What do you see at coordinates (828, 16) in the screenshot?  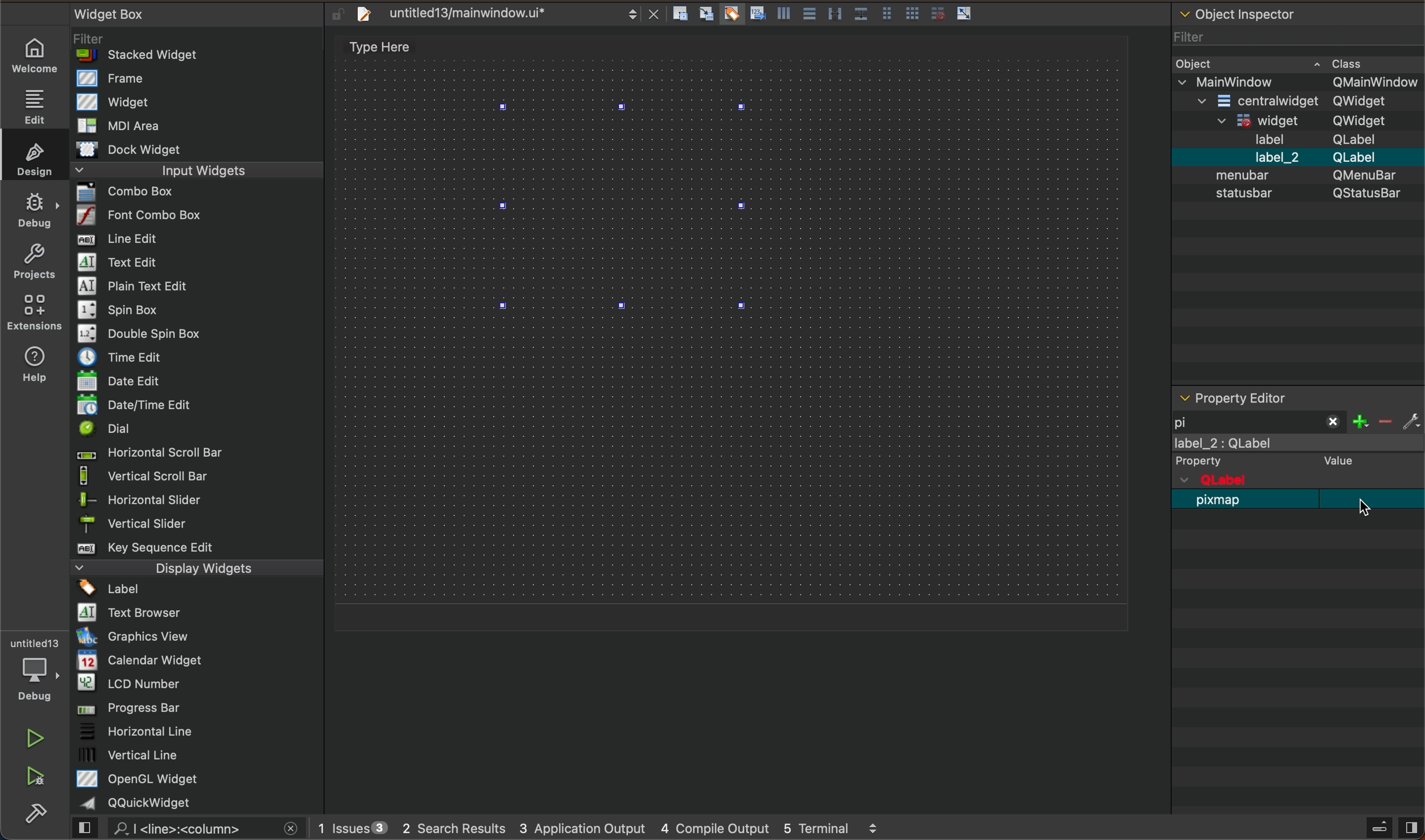 I see `layout actions` at bounding box center [828, 16].